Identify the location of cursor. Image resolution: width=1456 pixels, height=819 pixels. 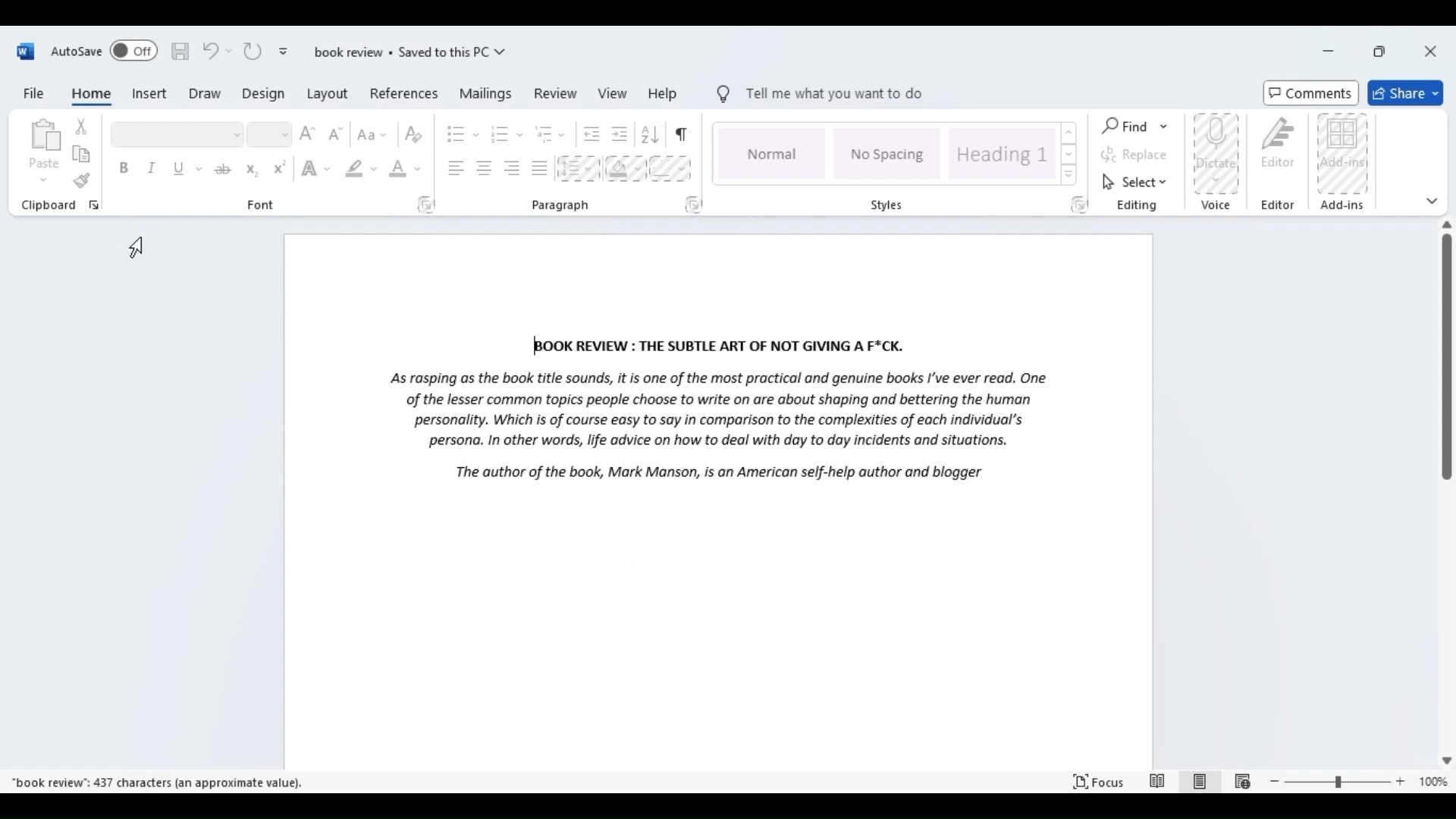
(140, 244).